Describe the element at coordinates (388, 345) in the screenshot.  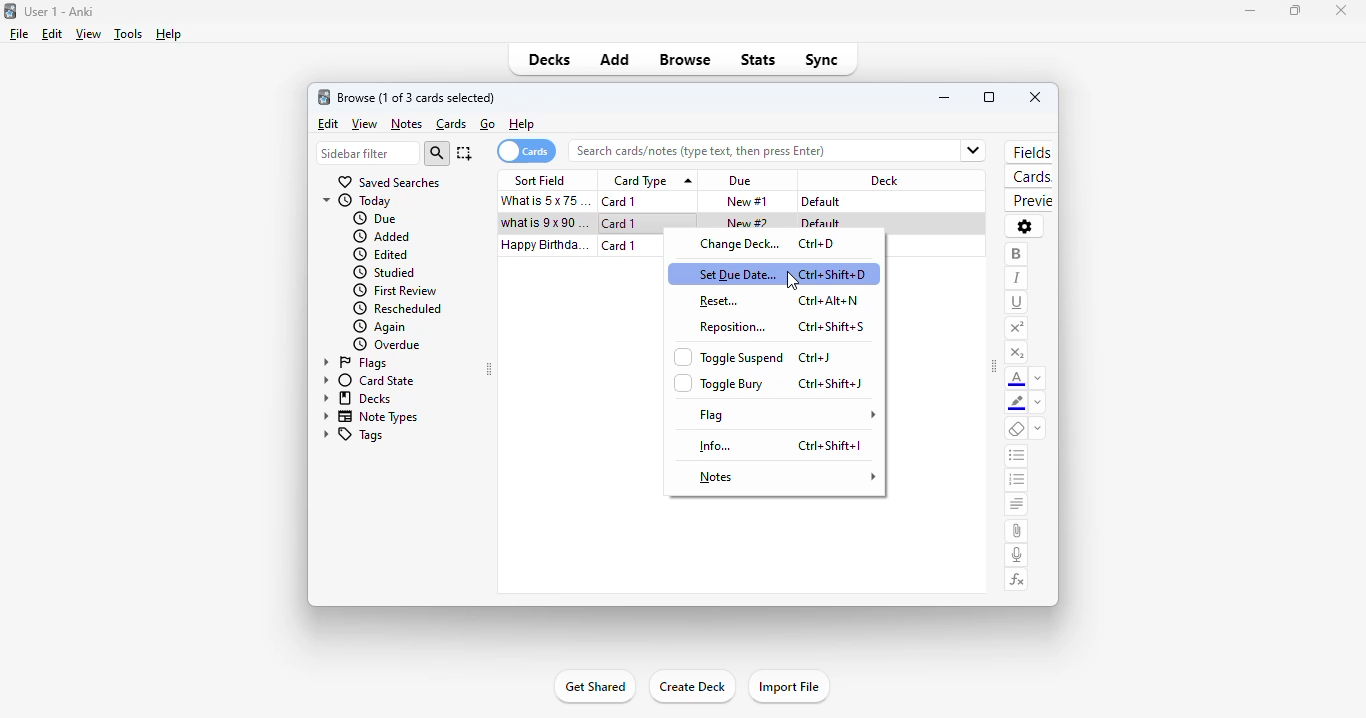
I see `overdue` at that location.